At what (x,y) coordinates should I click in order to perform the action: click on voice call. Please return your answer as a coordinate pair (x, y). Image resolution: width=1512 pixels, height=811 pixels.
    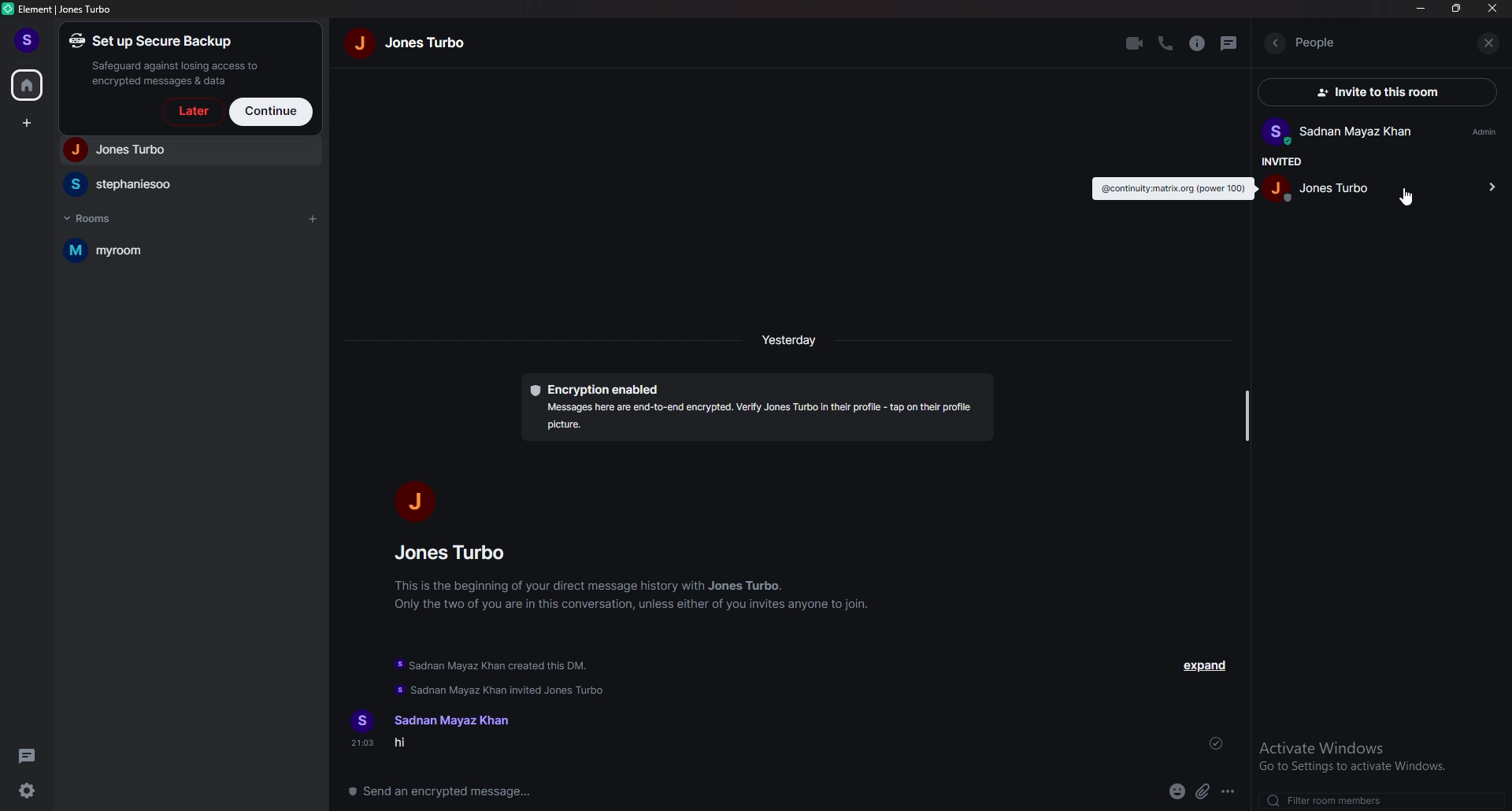
    Looking at the image, I should click on (1164, 44).